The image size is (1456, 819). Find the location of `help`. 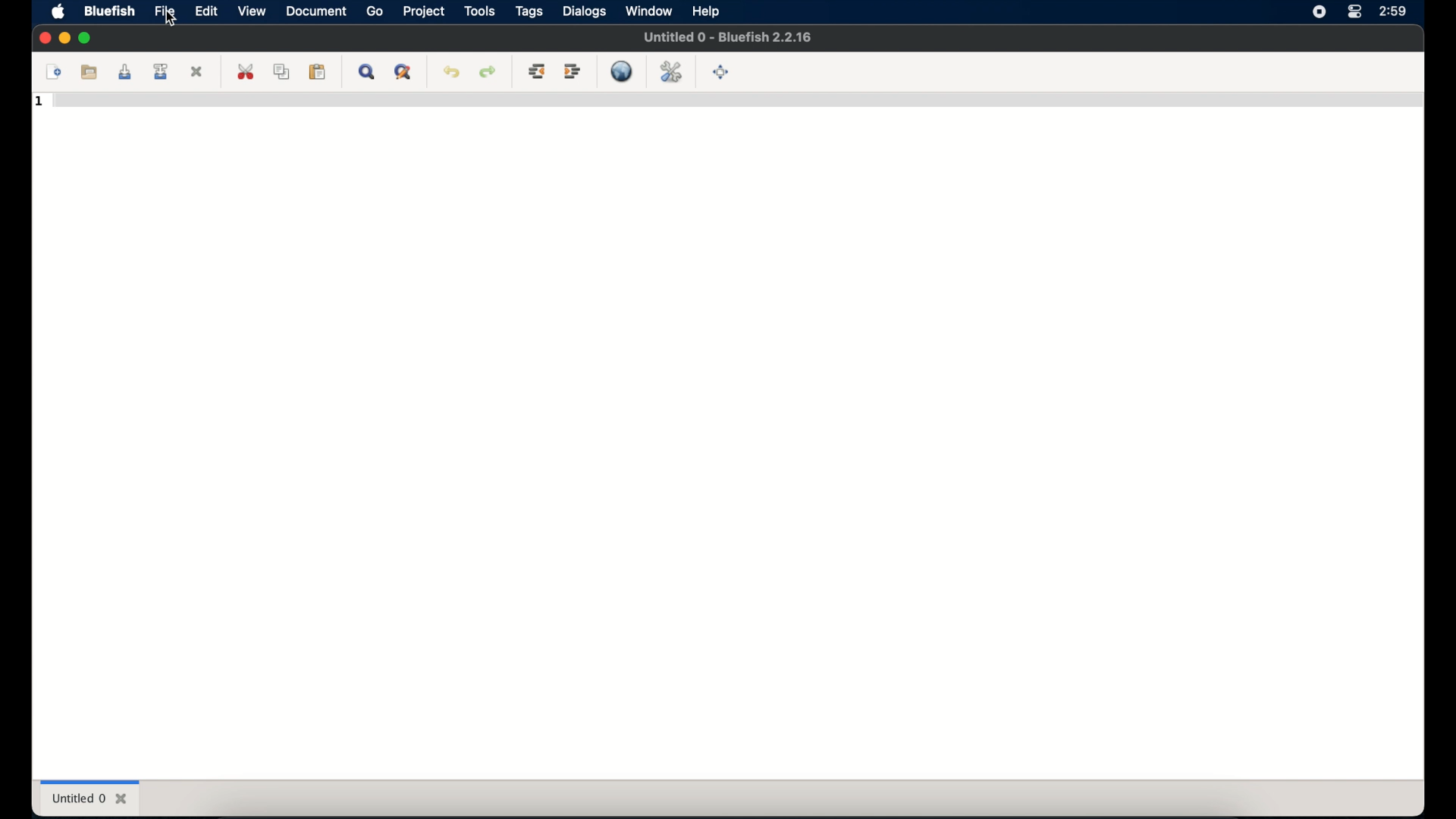

help is located at coordinates (707, 11).